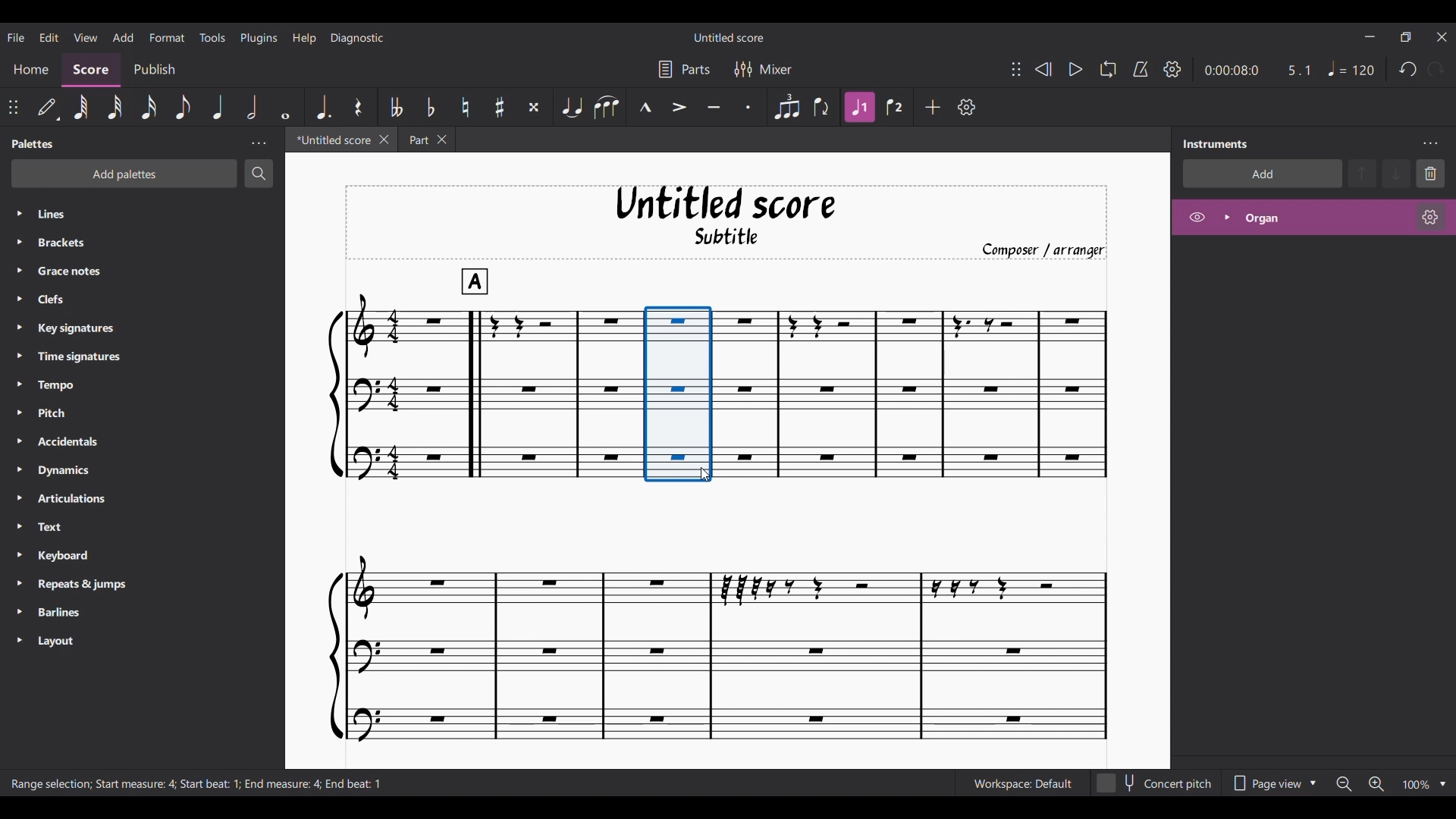  I want to click on 16th note, so click(149, 107).